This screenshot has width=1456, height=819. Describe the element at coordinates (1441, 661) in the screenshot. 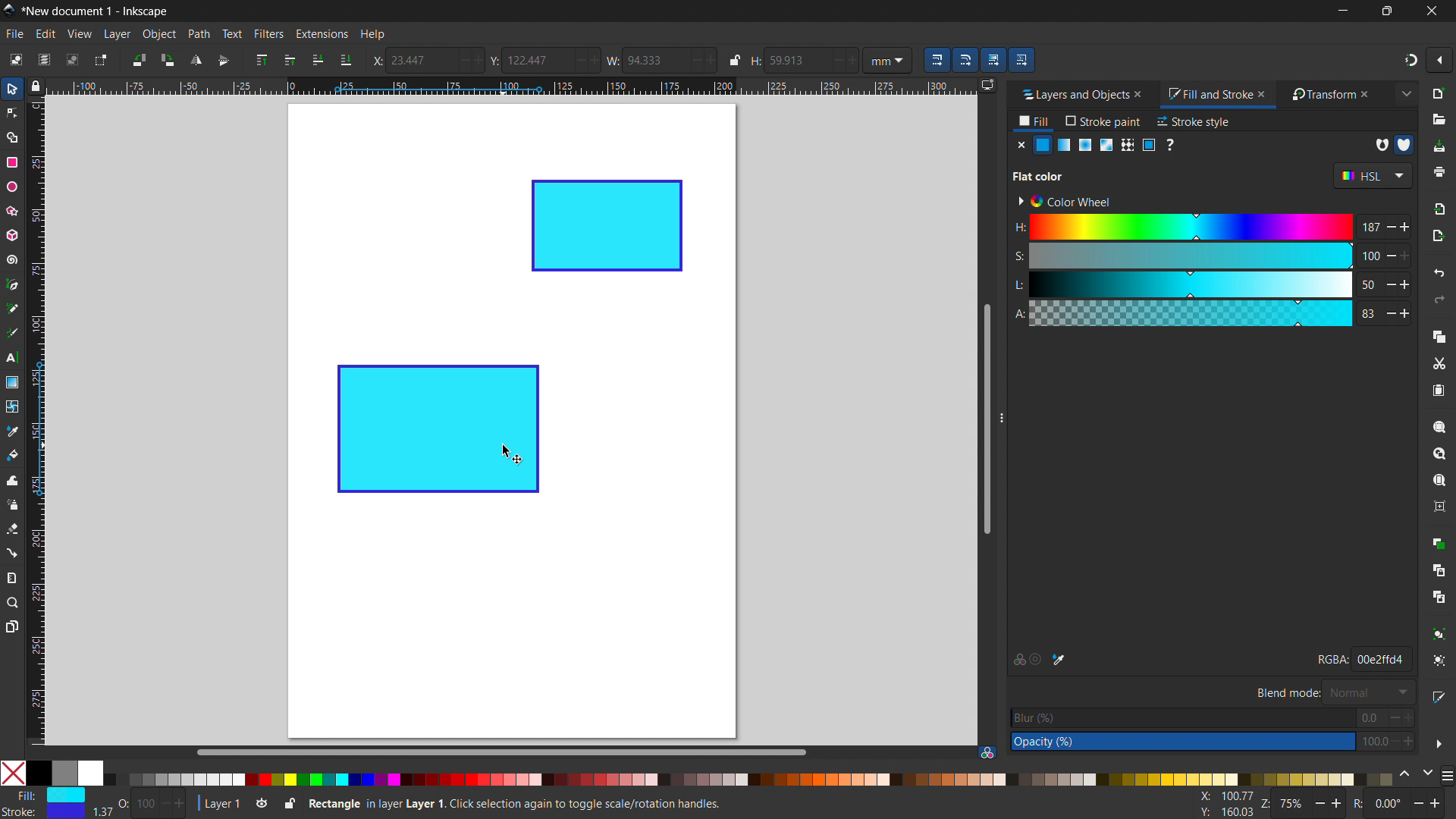

I see `ungroup` at that location.